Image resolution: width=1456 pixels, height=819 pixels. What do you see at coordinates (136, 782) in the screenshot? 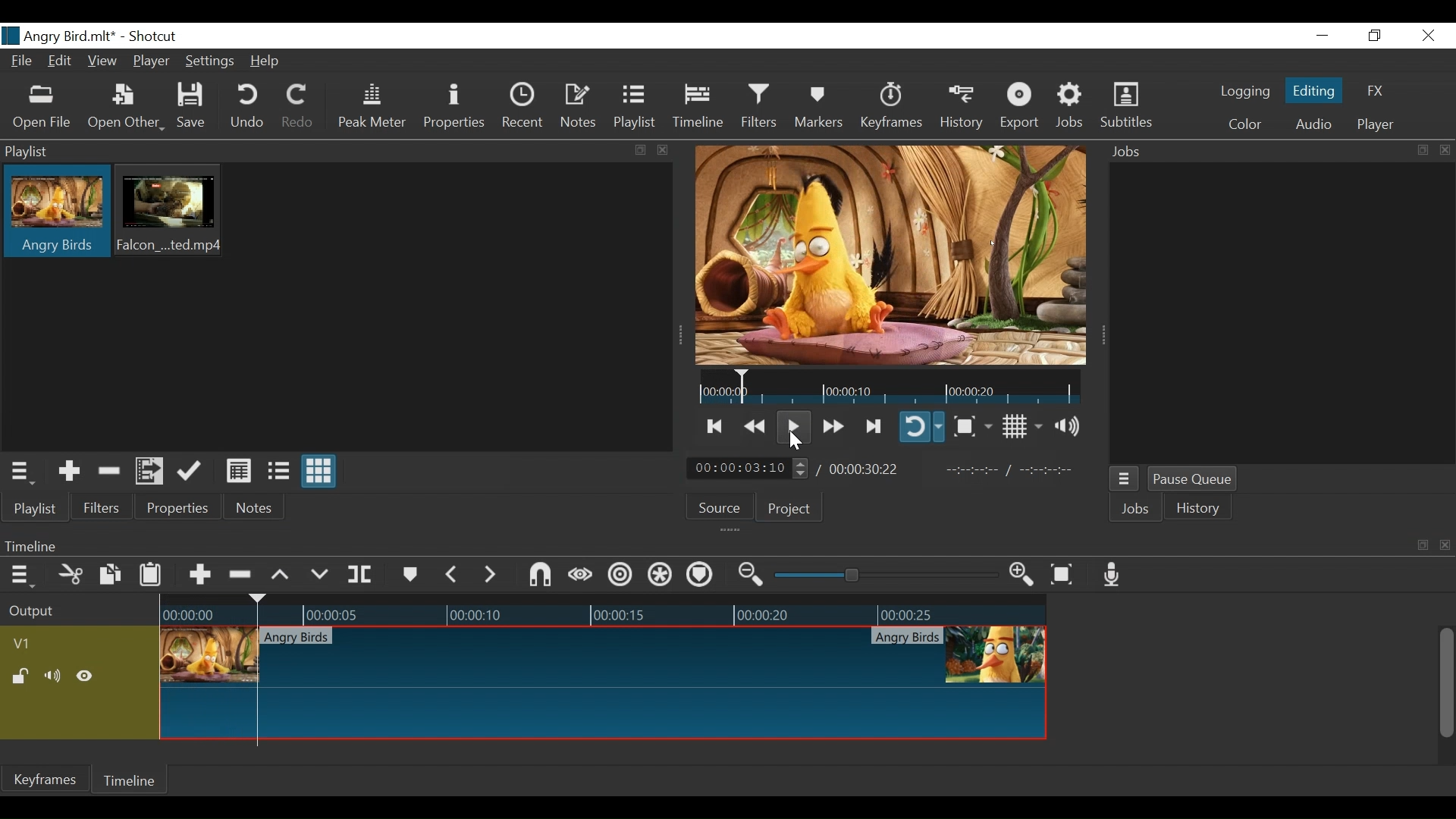
I see `Timeline` at bounding box center [136, 782].